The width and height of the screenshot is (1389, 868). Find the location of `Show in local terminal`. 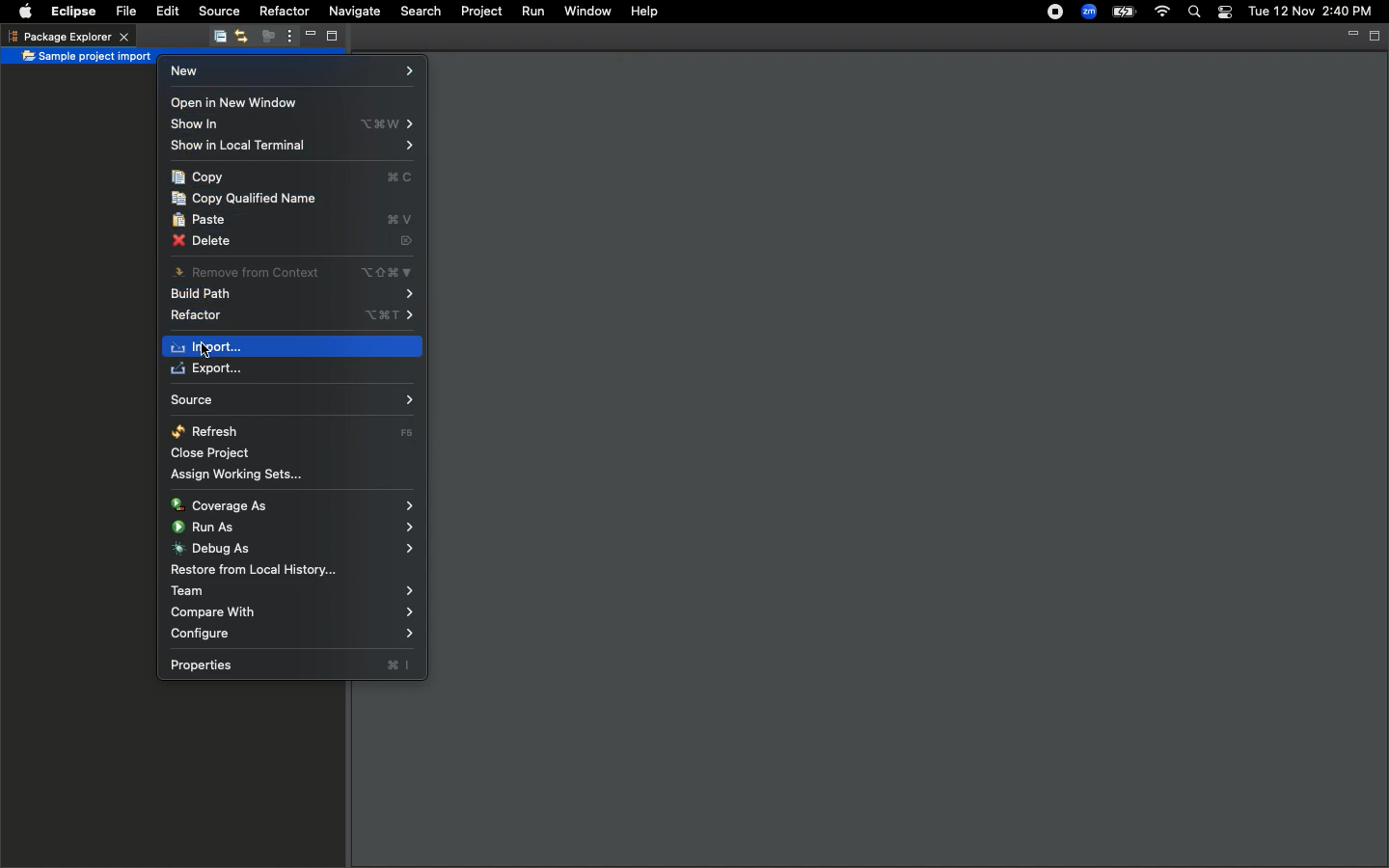

Show in local terminal is located at coordinates (292, 146).